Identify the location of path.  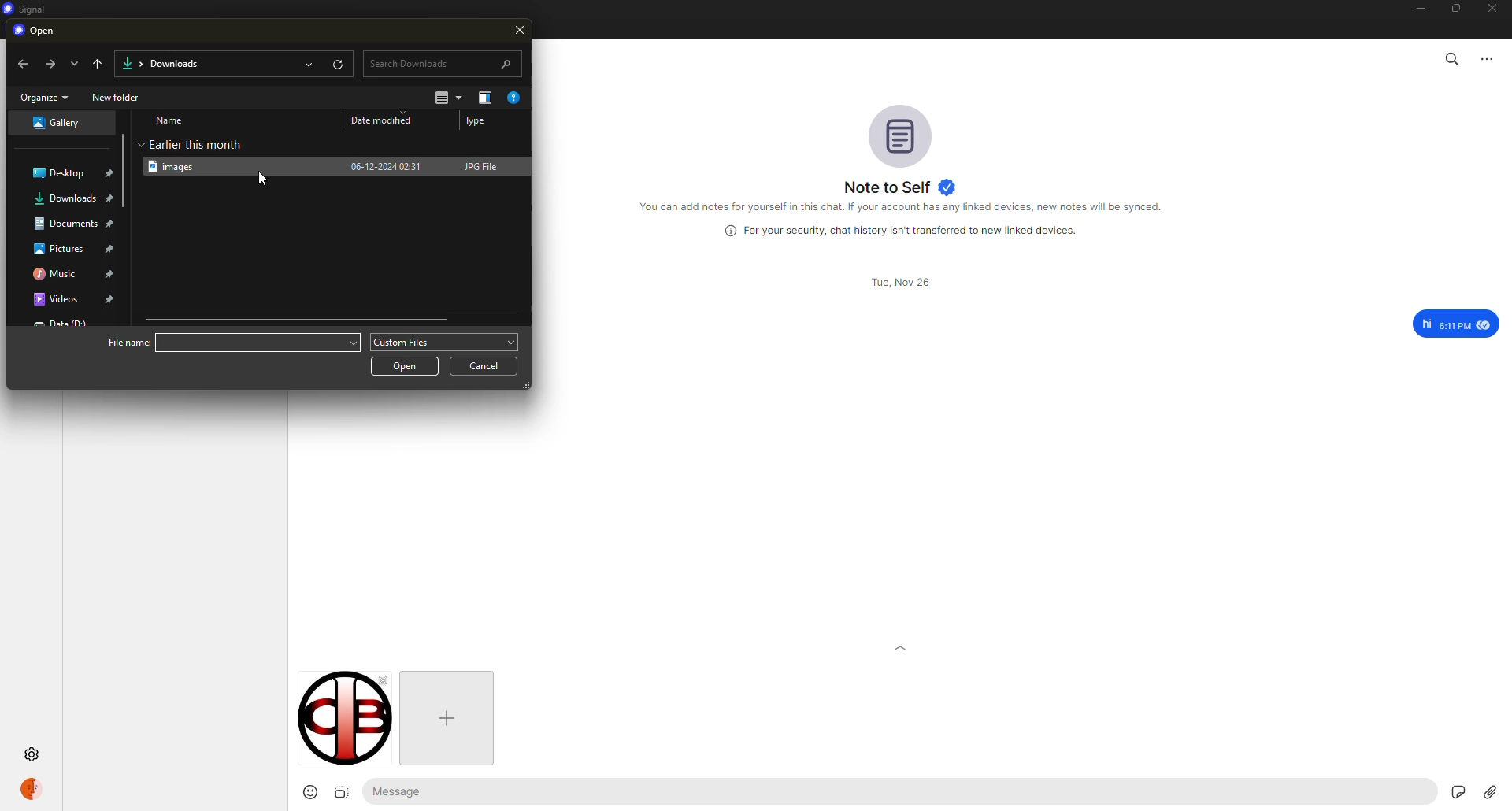
(171, 62).